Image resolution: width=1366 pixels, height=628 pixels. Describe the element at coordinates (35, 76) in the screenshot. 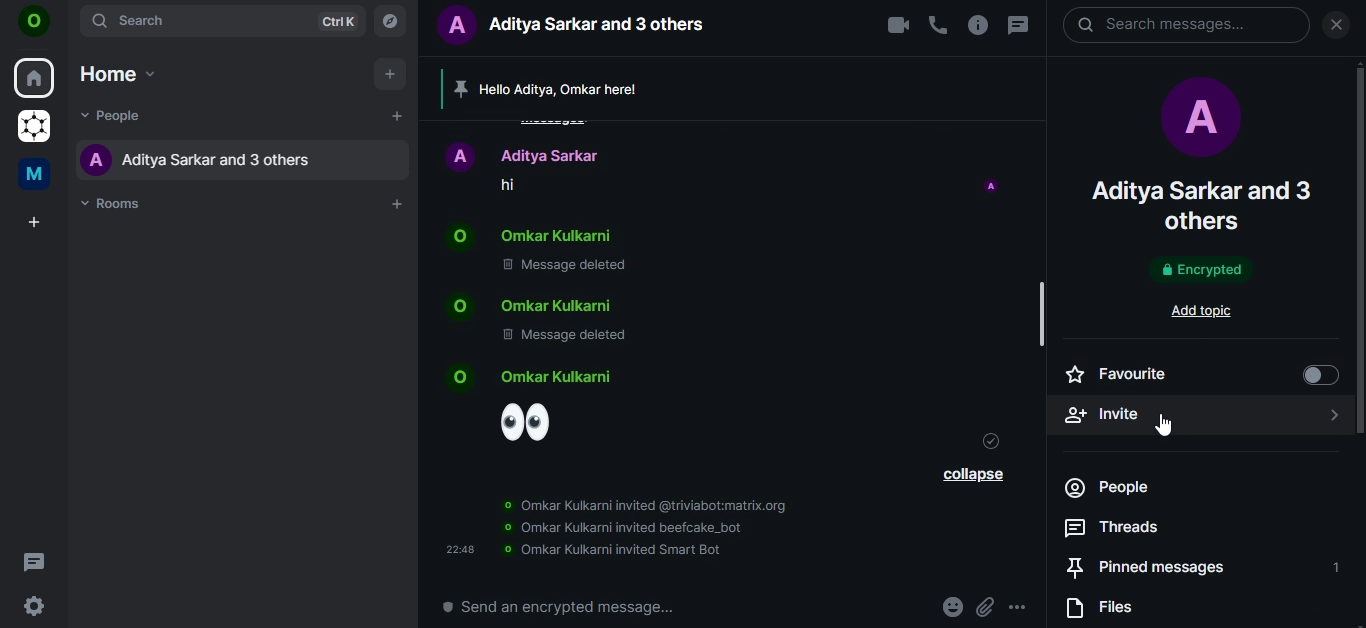

I see `home` at that location.